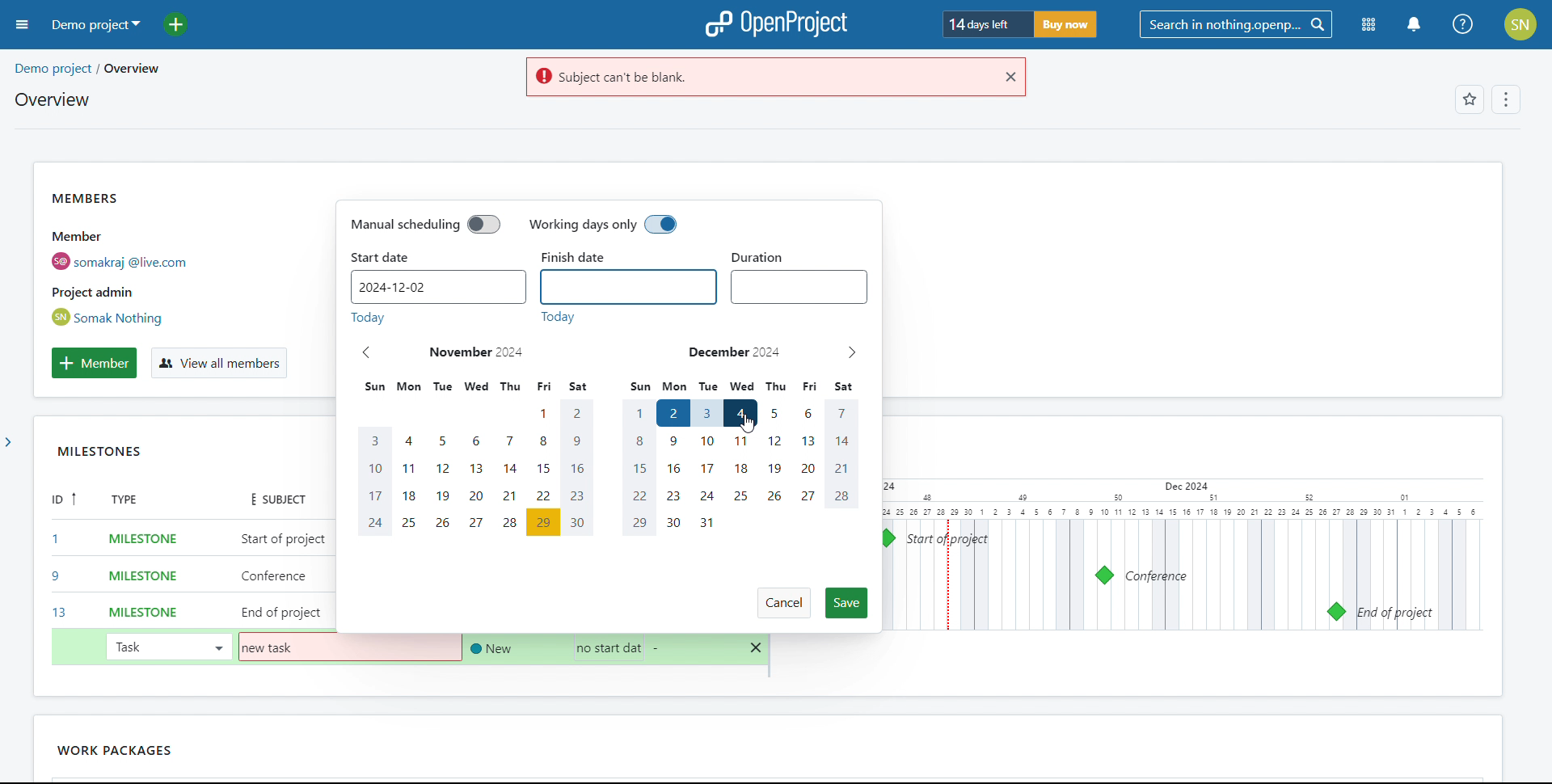 The height and width of the screenshot is (784, 1552). Describe the element at coordinates (604, 226) in the screenshot. I see `working days only` at that location.